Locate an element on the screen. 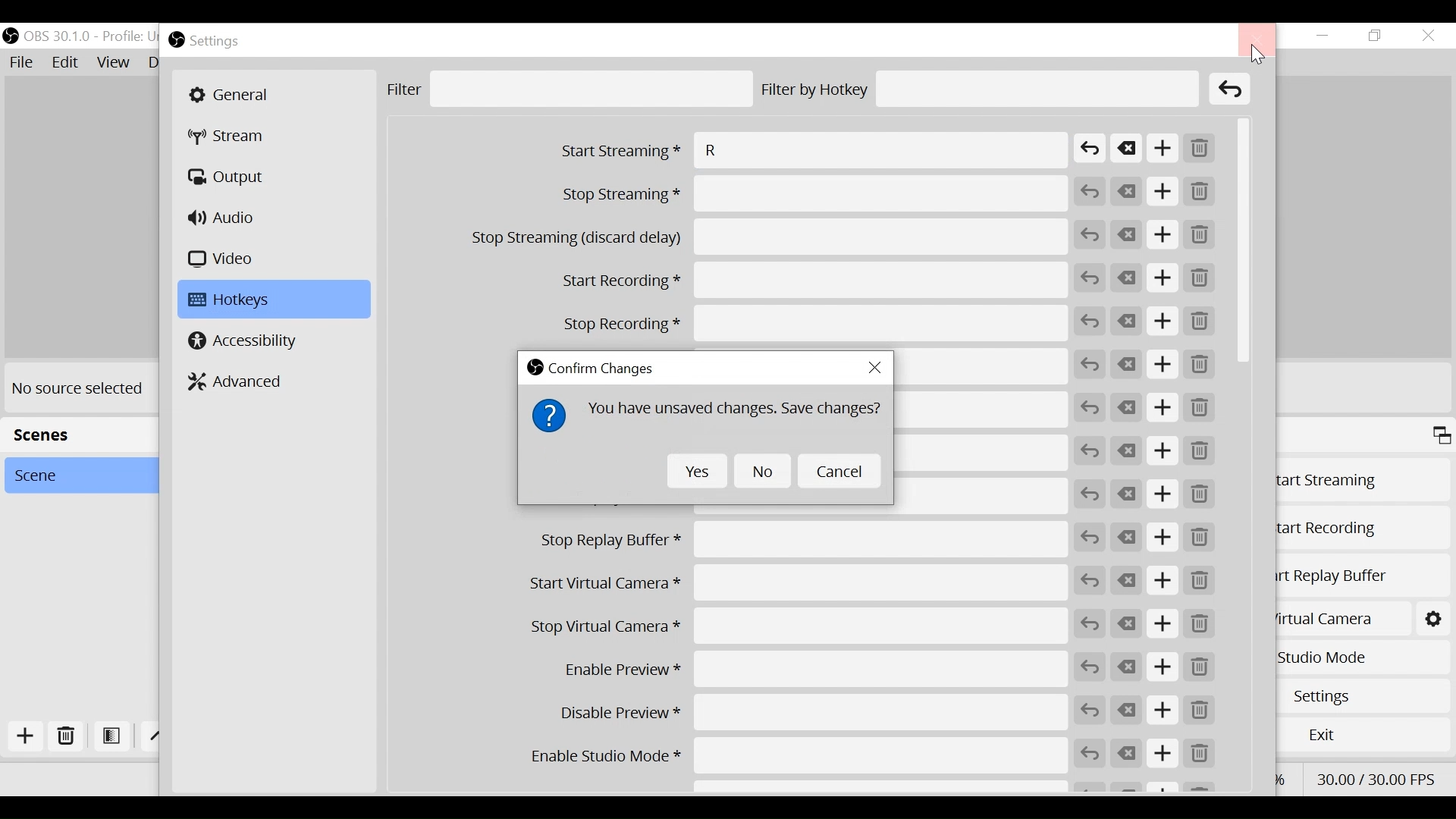 The width and height of the screenshot is (1456, 819). Stop Replay Buffer is located at coordinates (799, 540).